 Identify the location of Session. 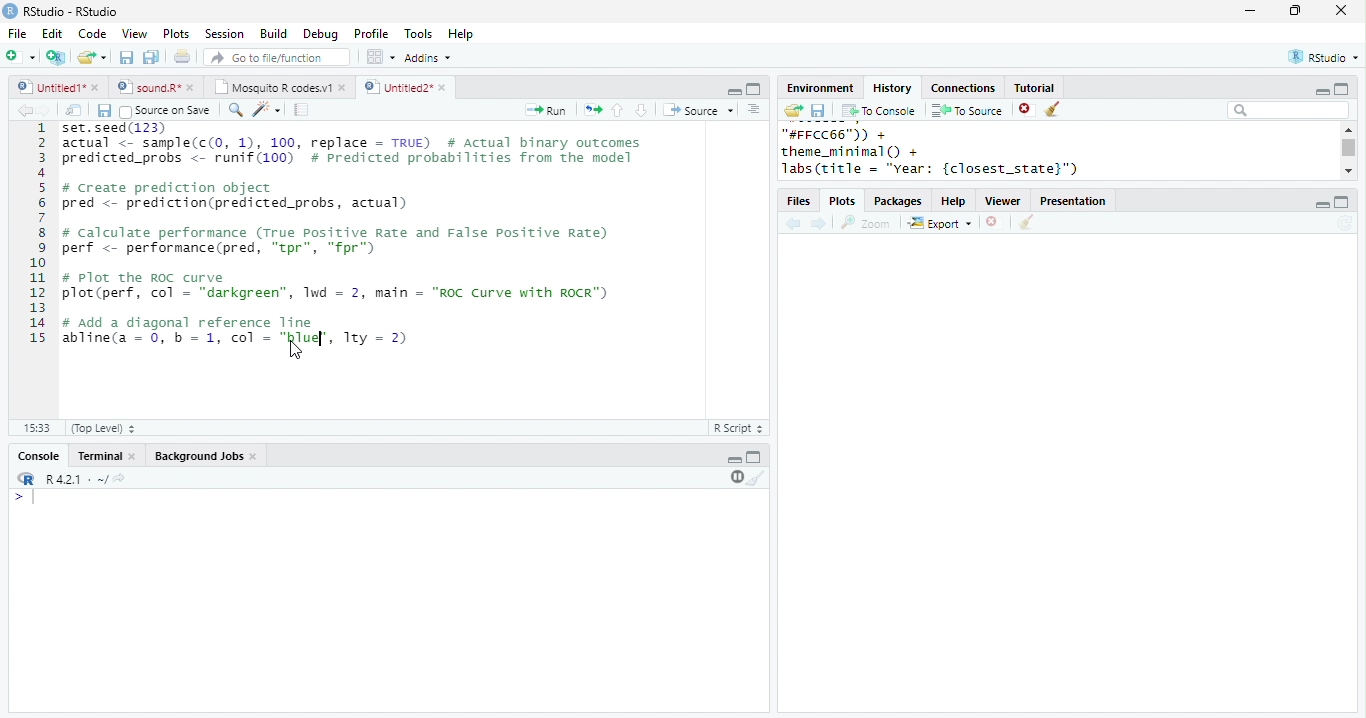
(224, 34).